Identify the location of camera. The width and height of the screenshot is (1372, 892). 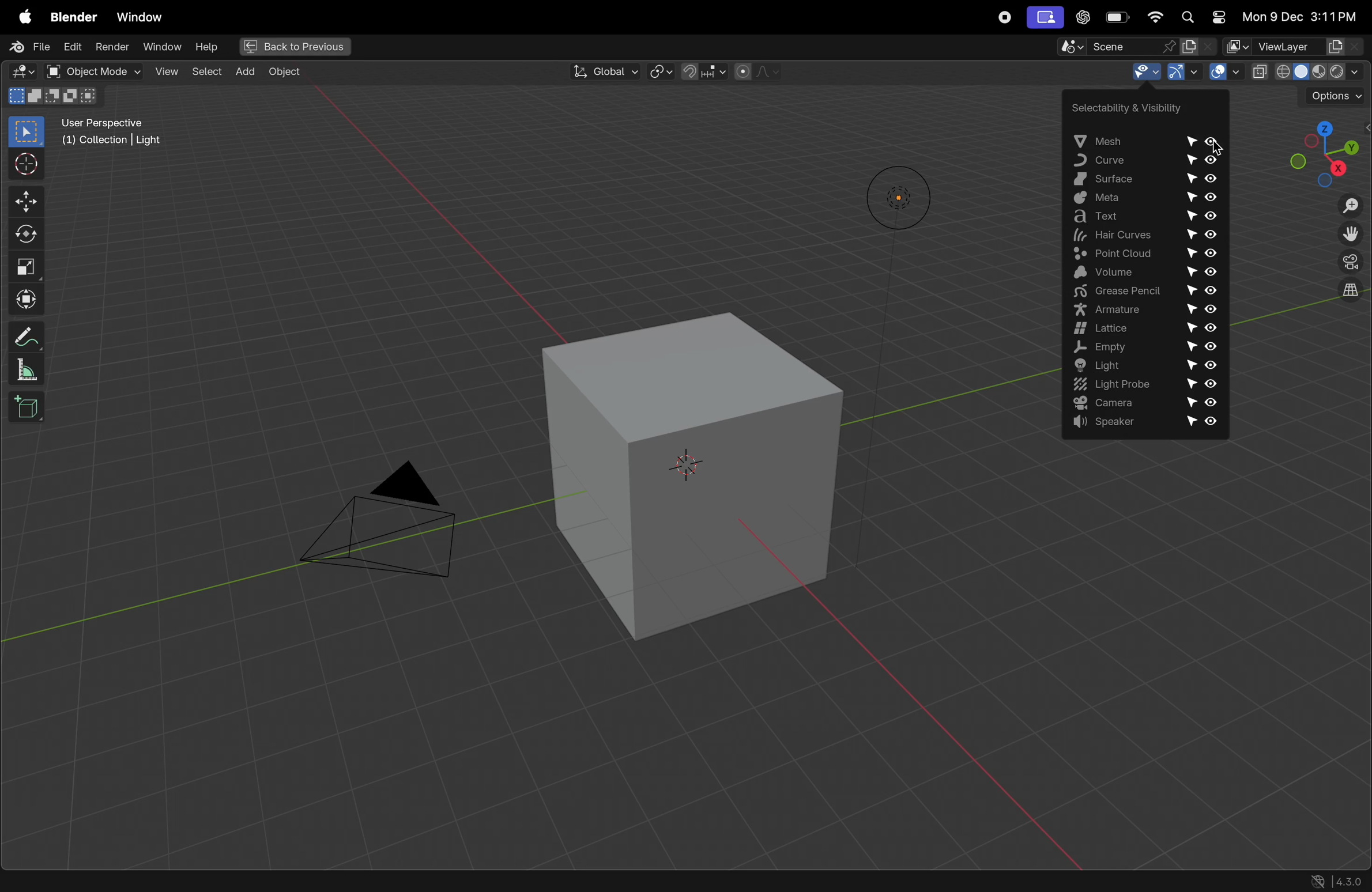
(381, 527).